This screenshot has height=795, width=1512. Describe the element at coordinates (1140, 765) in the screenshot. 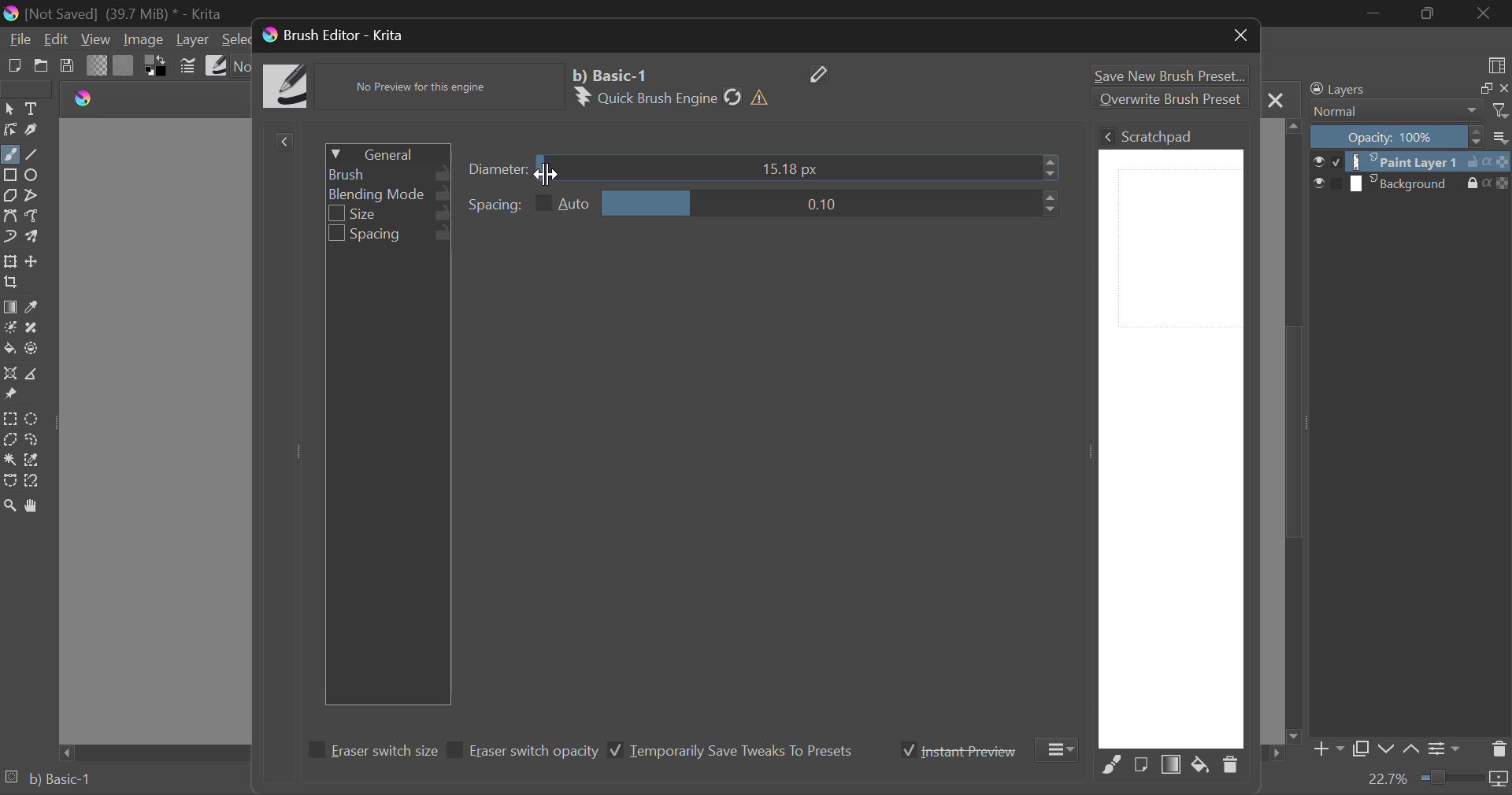

I see `Fill area with current Image` at that location.